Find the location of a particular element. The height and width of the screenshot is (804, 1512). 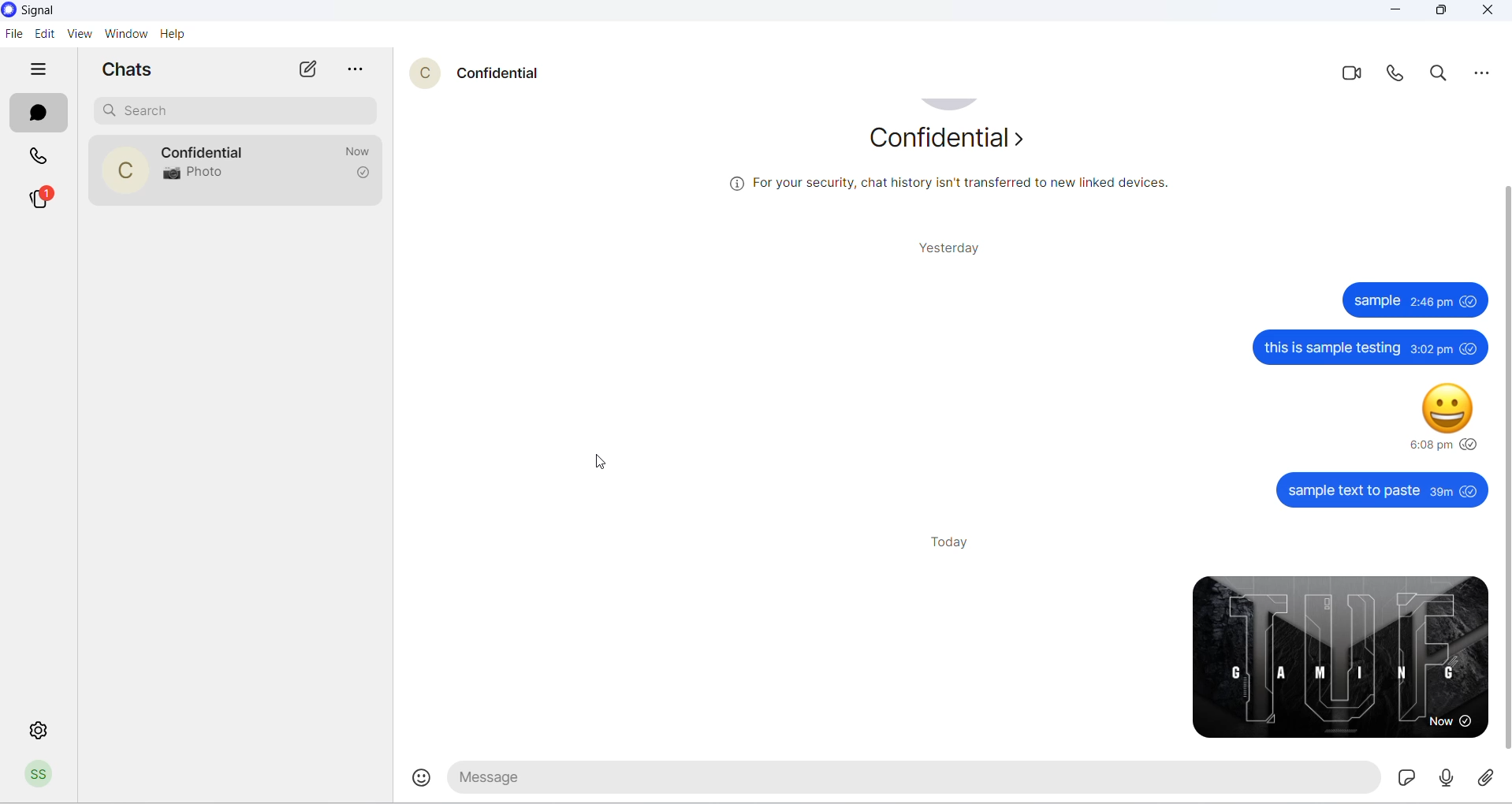

file sent is located at coordinates (1339, 653).